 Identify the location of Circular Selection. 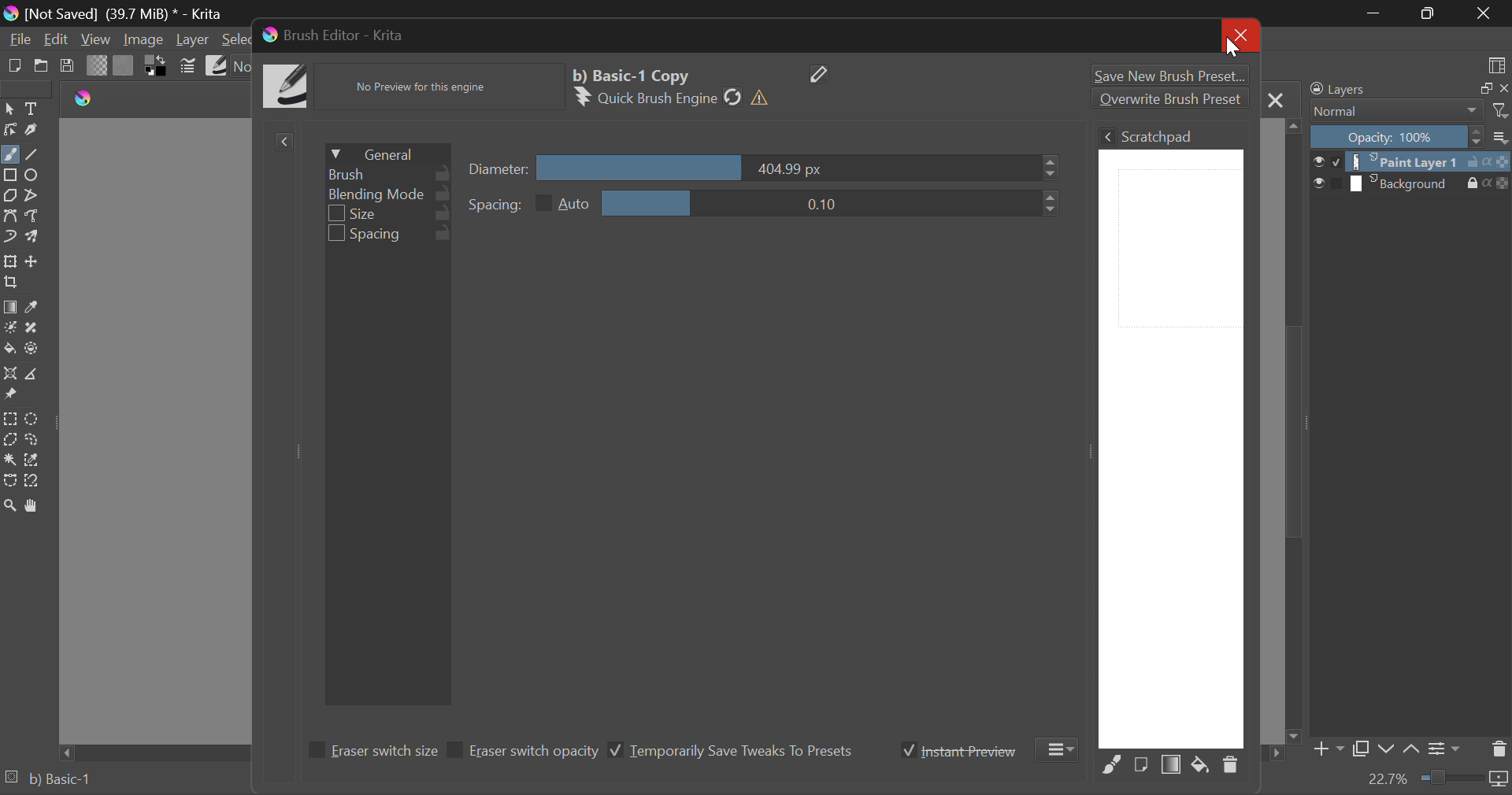
(32, 419).